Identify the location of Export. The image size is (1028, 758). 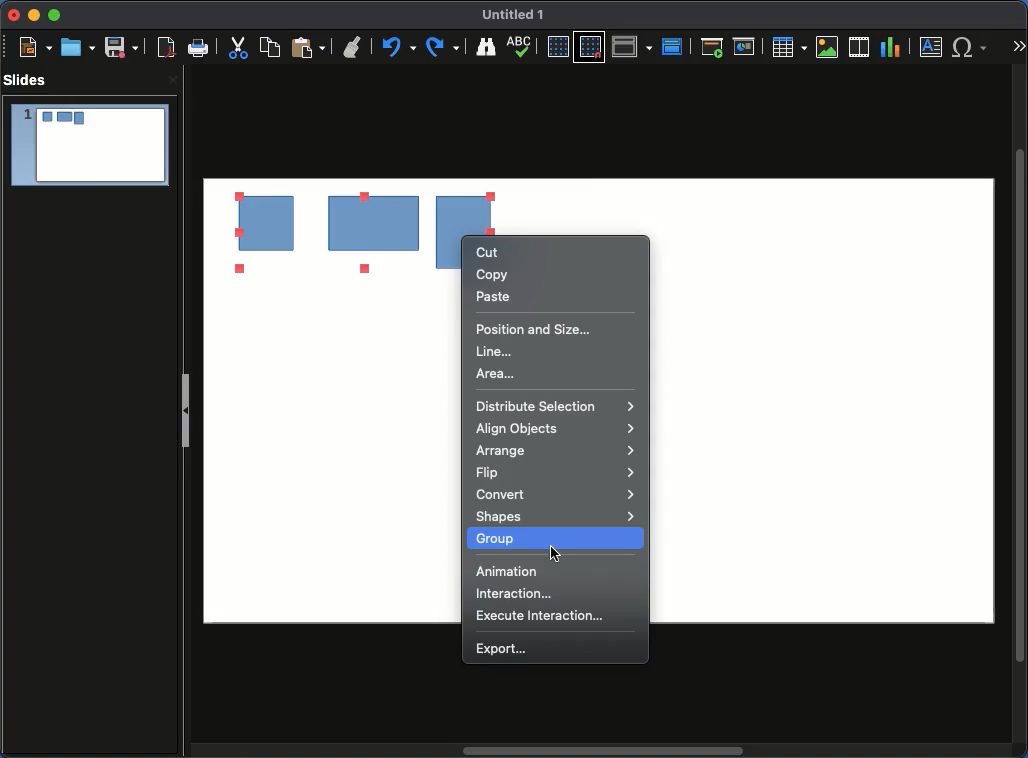
(506, 649).